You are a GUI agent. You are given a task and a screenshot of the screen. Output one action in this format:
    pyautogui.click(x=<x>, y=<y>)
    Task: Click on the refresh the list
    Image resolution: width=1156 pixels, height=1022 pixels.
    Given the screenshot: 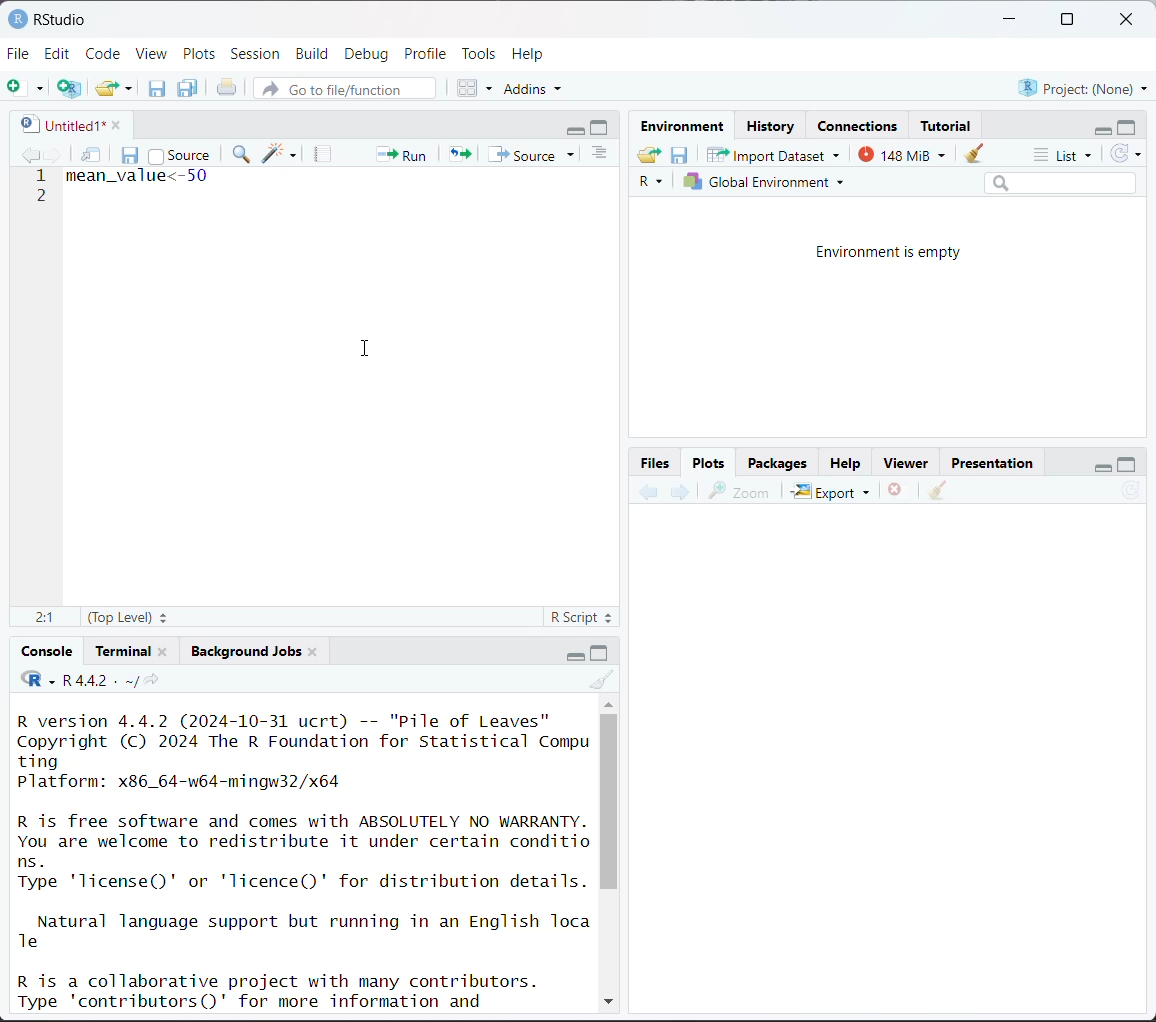 What is the action you would take?
    pyautogui.click(x=1126, y=154)
    